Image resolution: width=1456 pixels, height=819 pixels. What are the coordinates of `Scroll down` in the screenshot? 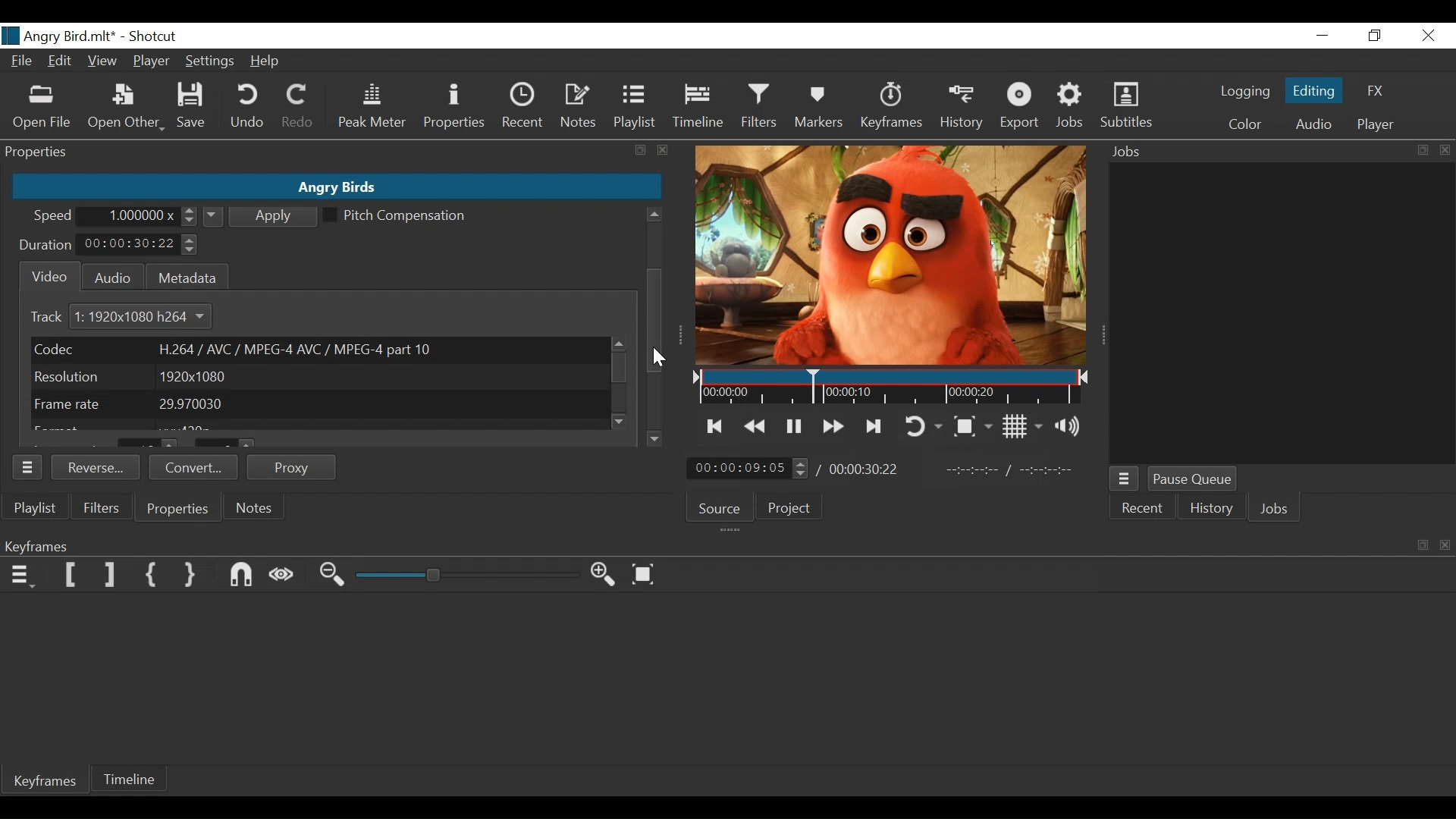 It's located at (654, 438).